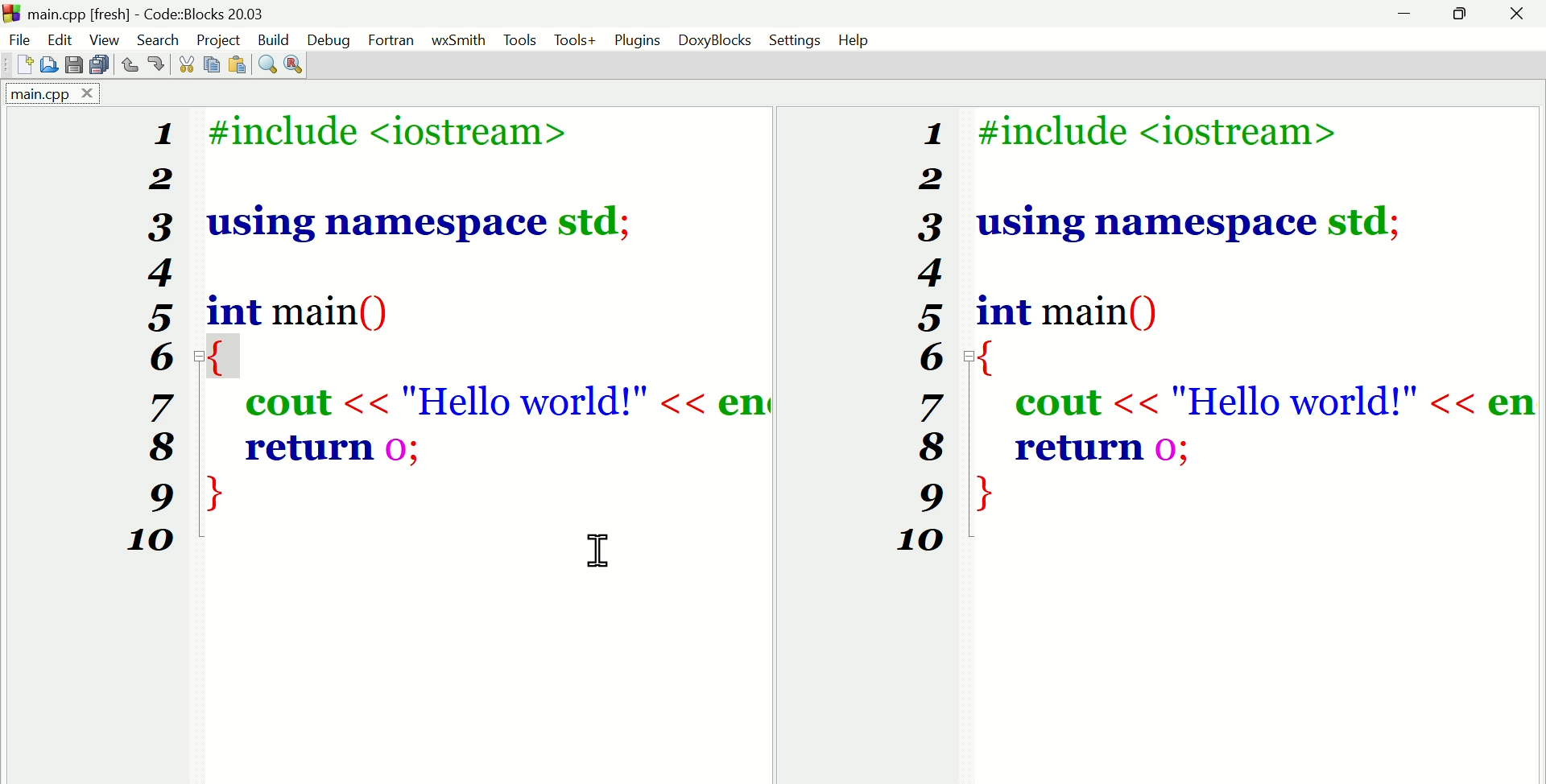 This screenshot has width=1546, height=784. Describe the element at coordinates (189, 13) in the screenshot. I see `Main cpp fresh code blocks 20.03` at that location.